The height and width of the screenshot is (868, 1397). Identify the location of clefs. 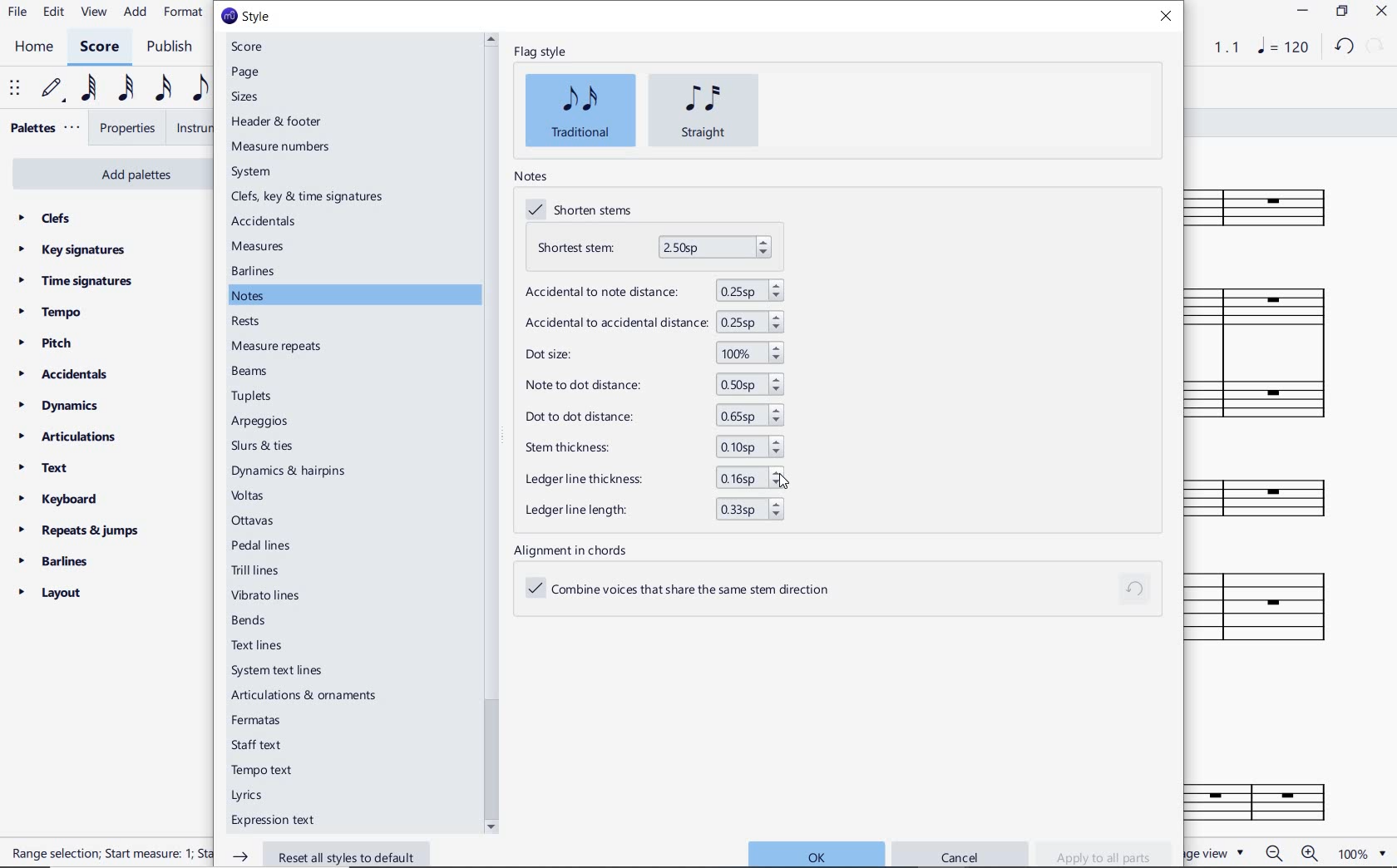
(44, 218).